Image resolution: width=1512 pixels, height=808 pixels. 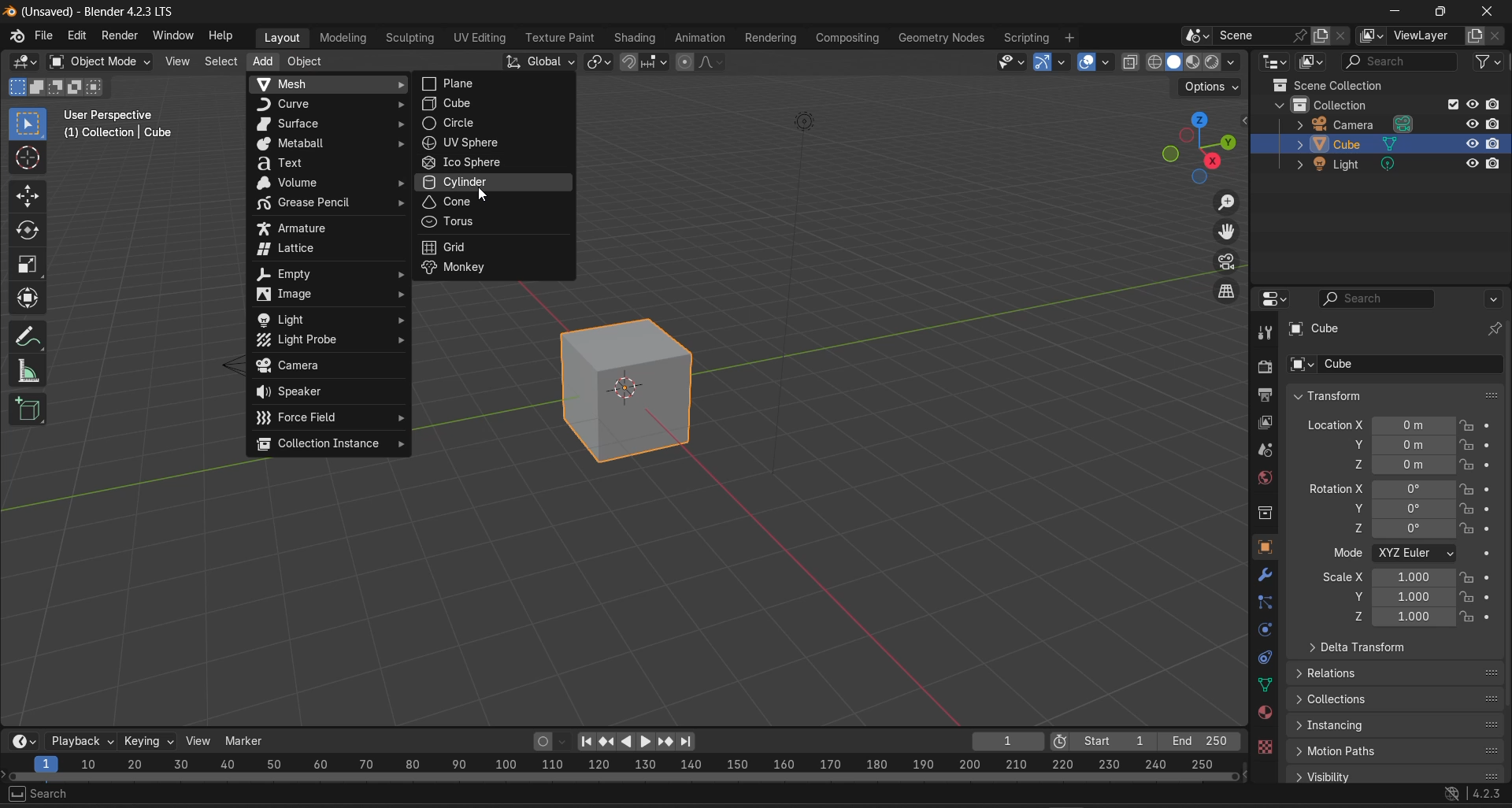 What do you see at coordinates (1488, 554) in the screenshot?
I see `animate property` at bounding box center [1488, 554].